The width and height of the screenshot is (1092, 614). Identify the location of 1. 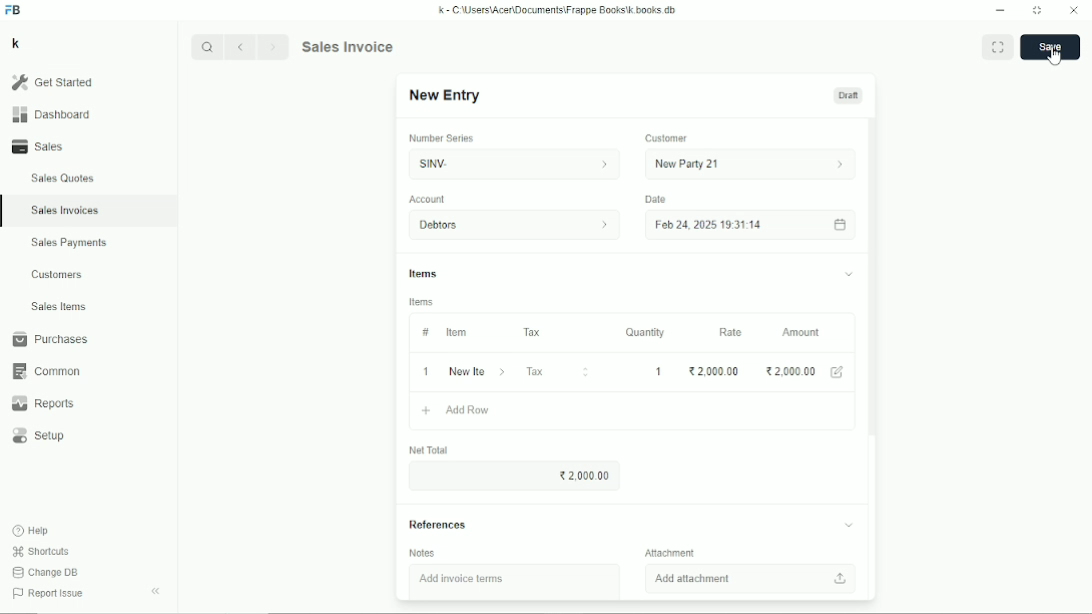
(661, 371).